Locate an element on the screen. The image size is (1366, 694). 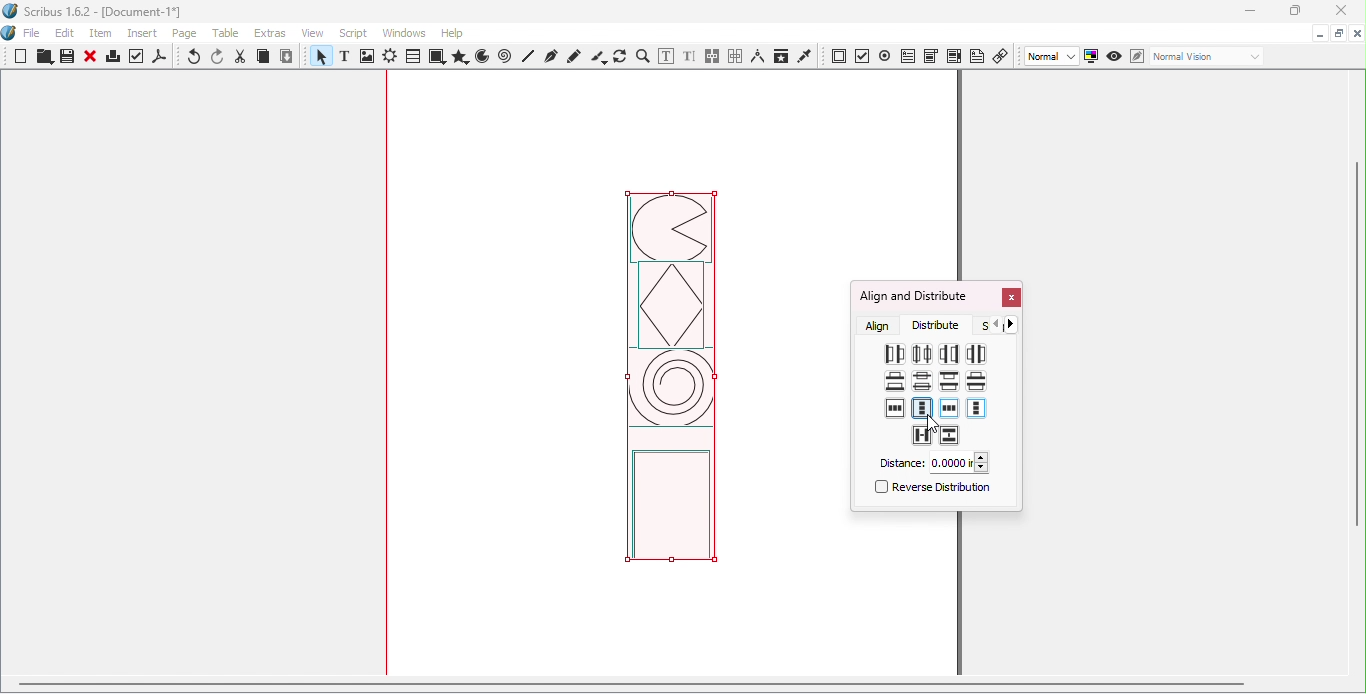
View is located at coordinates (317, 32).